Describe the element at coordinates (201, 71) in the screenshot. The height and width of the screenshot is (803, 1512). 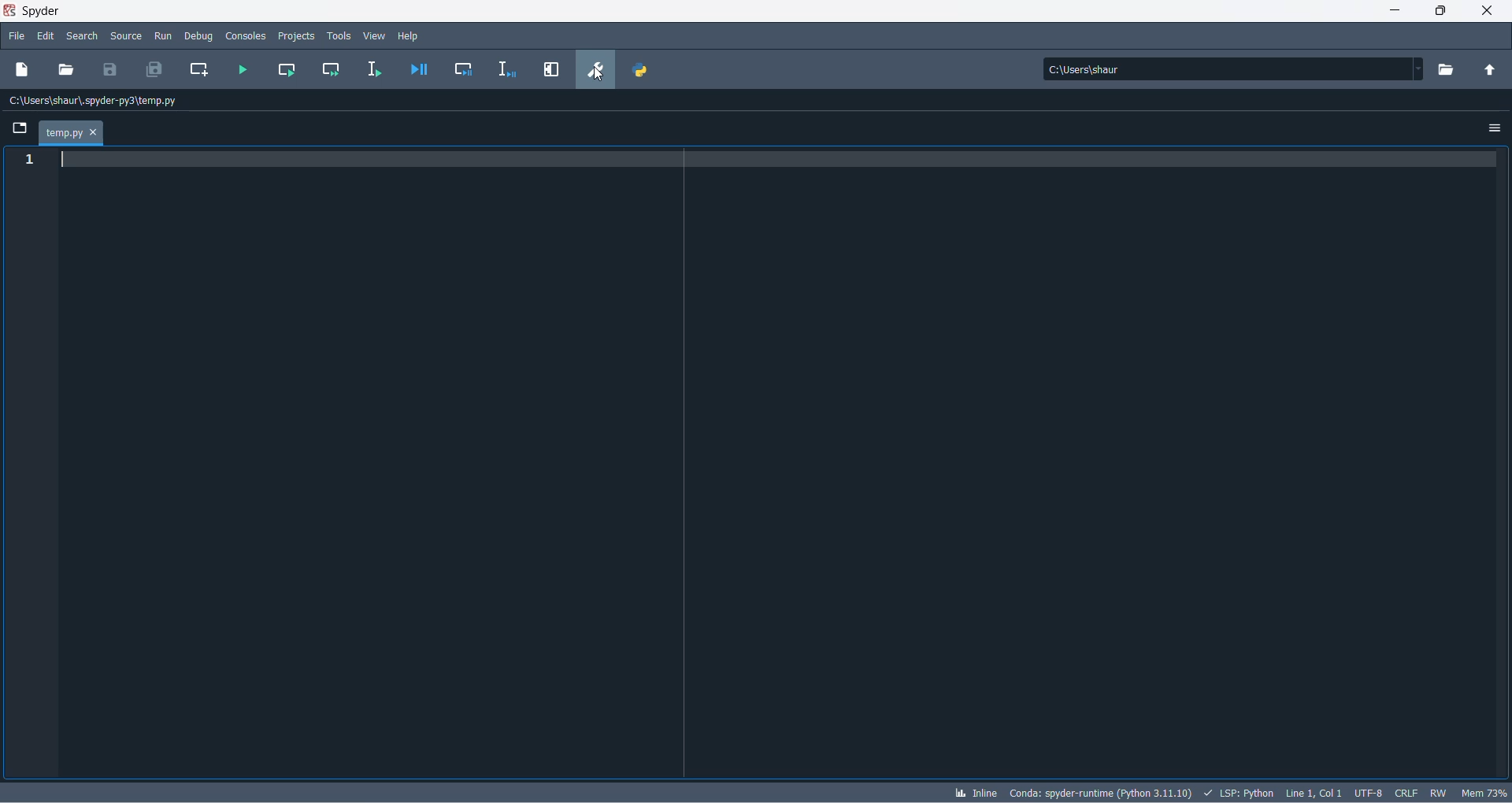
I see `create new cell` at that location.